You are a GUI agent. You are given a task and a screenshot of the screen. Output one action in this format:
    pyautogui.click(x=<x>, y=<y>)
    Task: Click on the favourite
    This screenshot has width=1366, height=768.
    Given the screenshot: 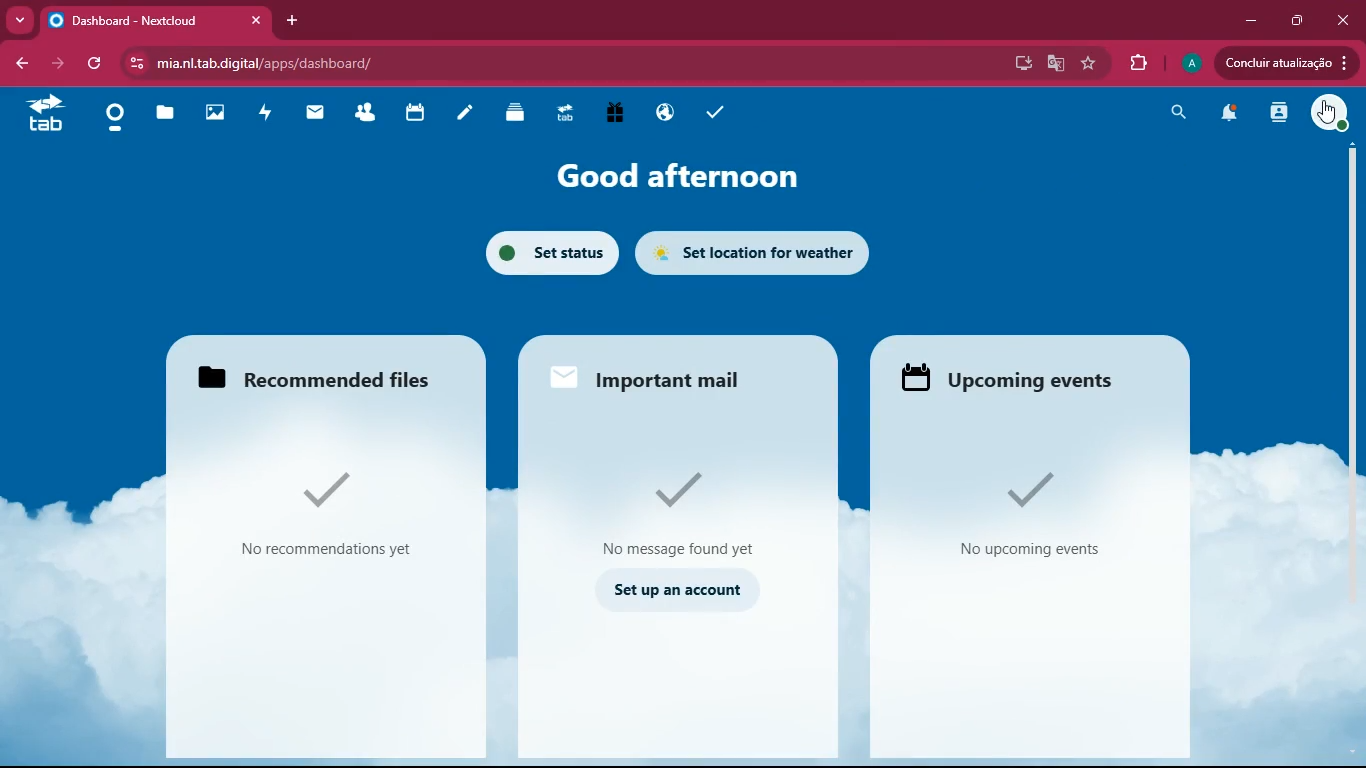 What is the action you would take?
    pyautogui.click(x=1092, y=65)
    